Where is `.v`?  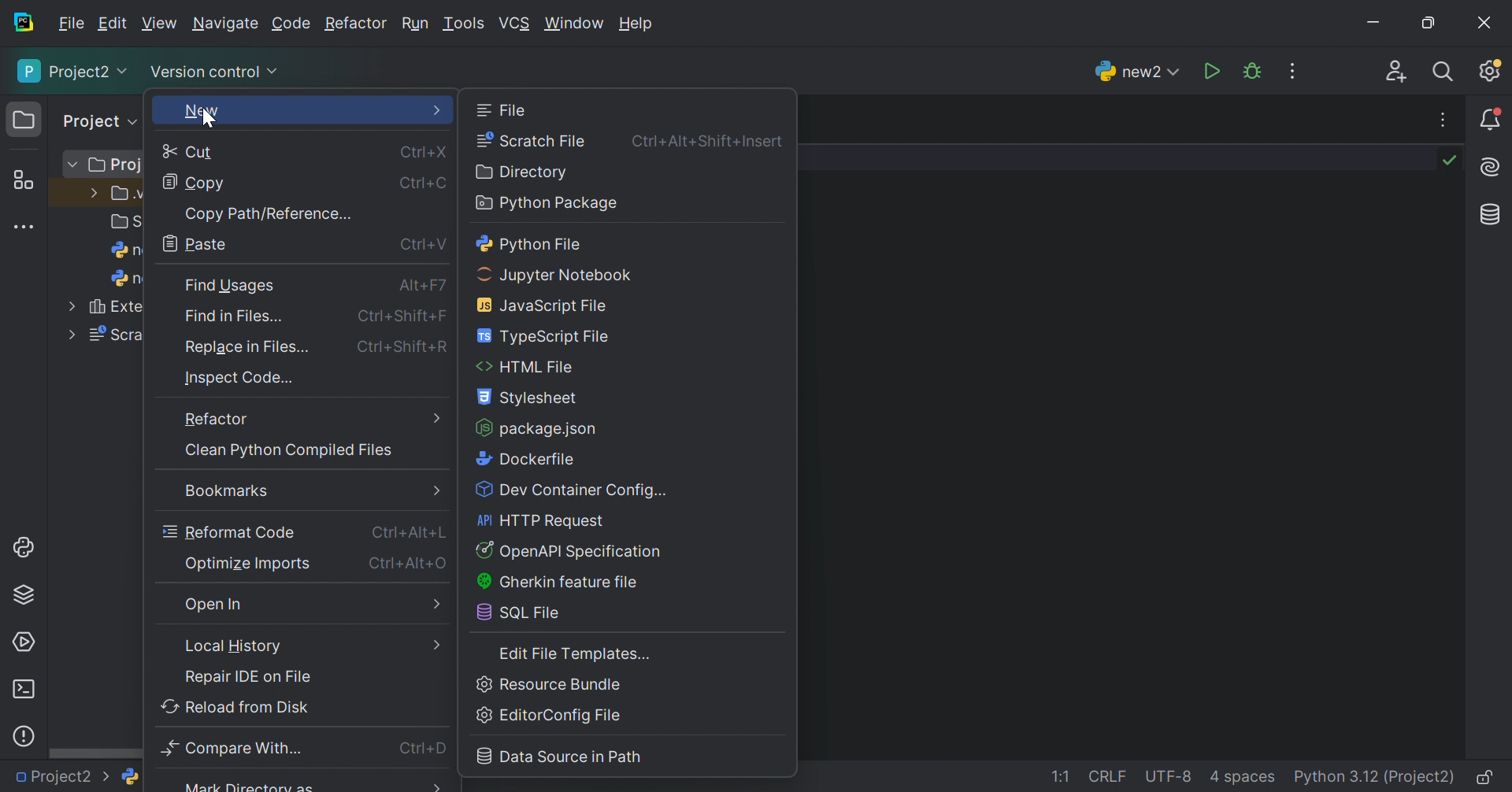 .v is located at coordinates (128, 193).